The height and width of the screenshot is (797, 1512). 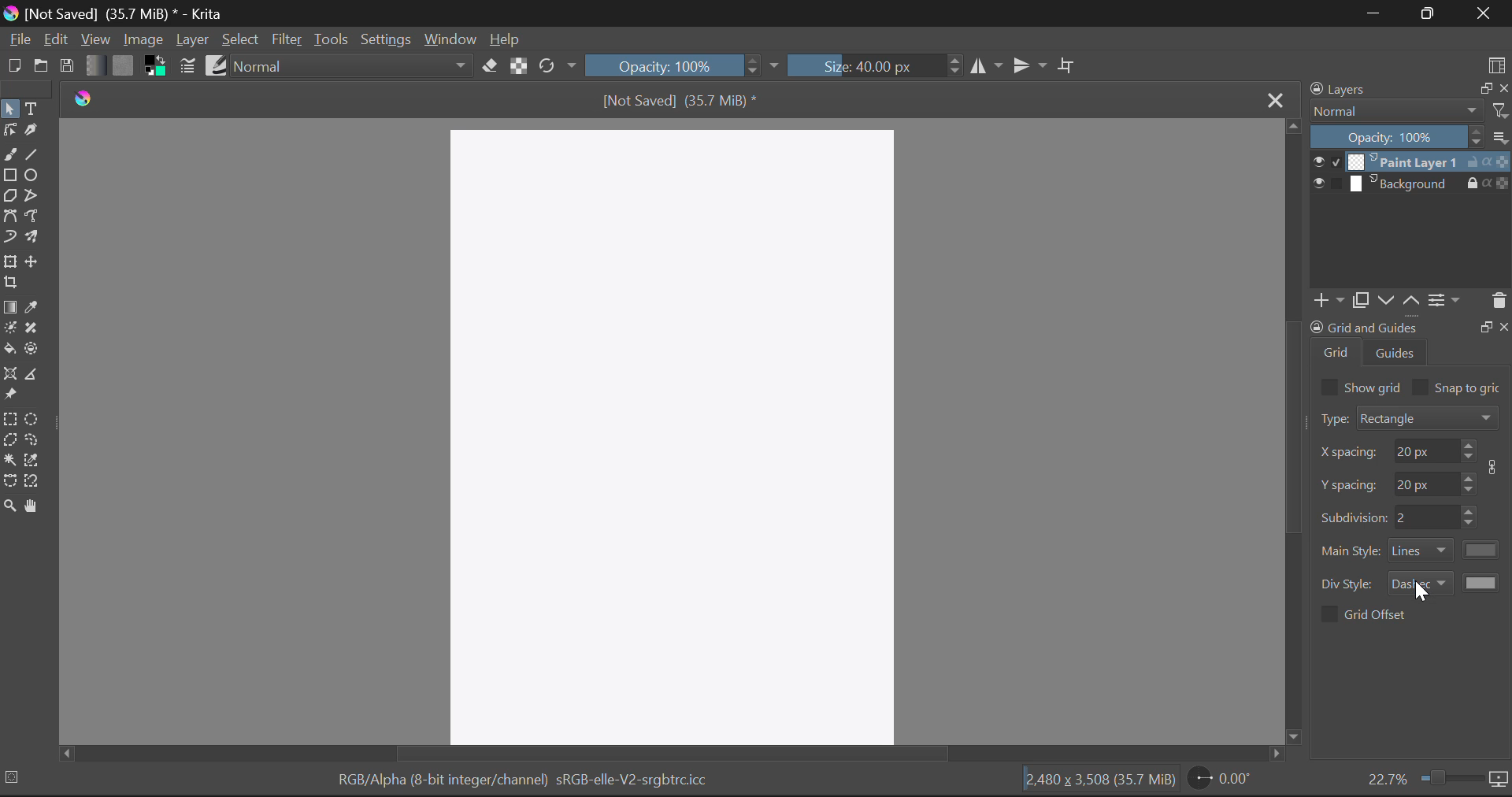 I want to click on Brush Size, so click(x=873, y=65).